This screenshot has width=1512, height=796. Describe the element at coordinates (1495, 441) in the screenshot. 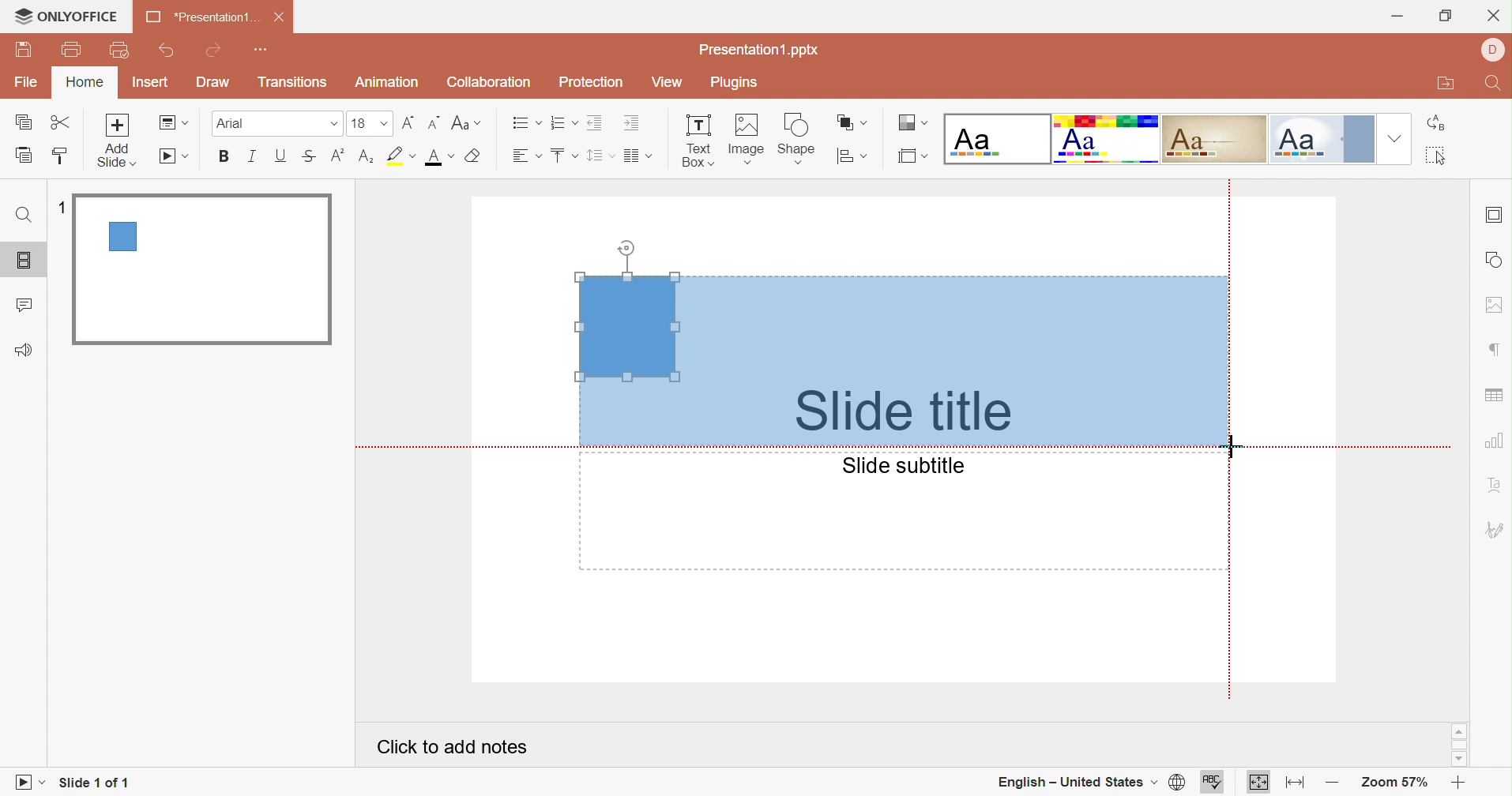

I see `Chart settings` at that location.